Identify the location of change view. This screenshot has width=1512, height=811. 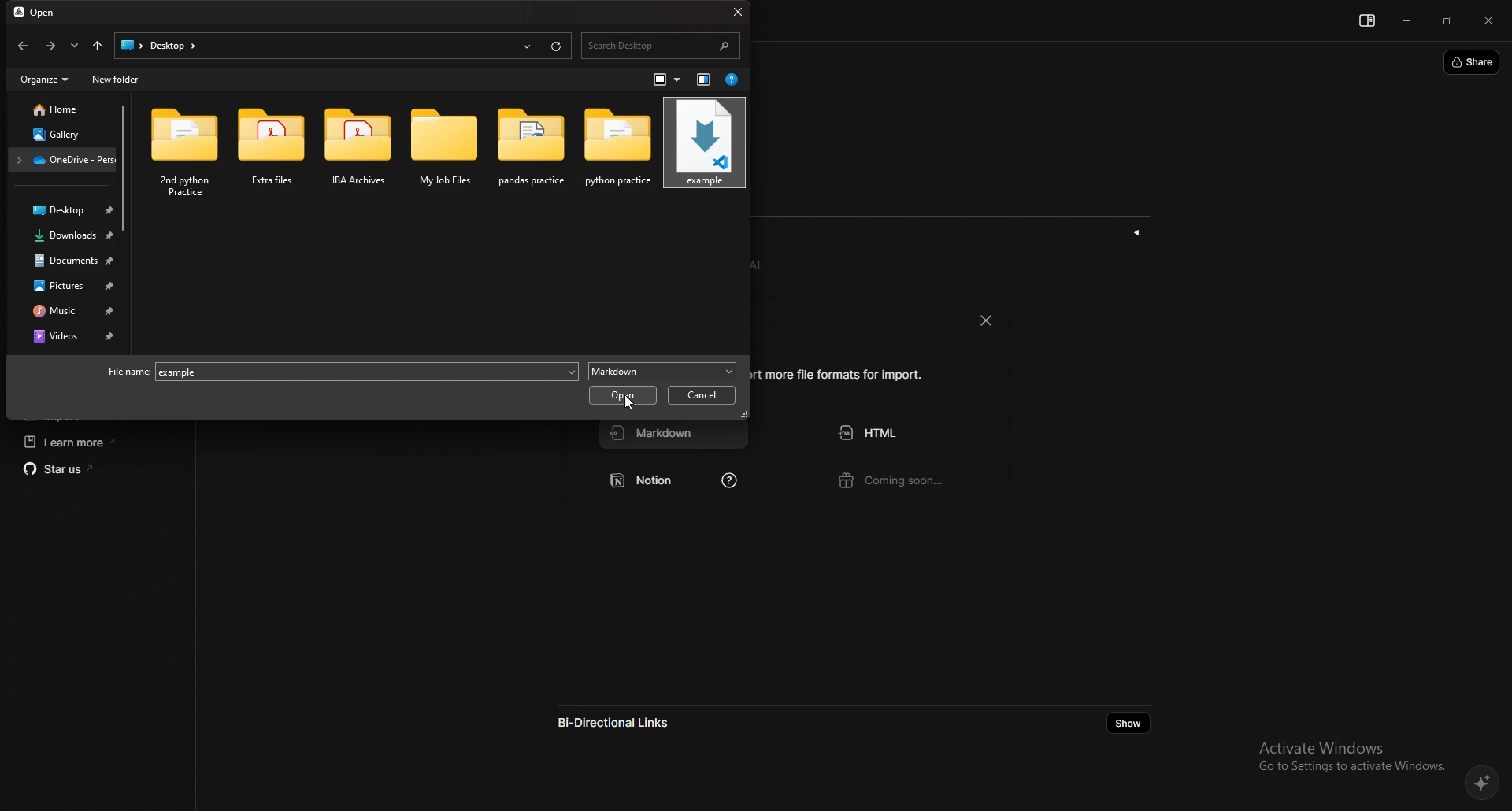
(665, 79).